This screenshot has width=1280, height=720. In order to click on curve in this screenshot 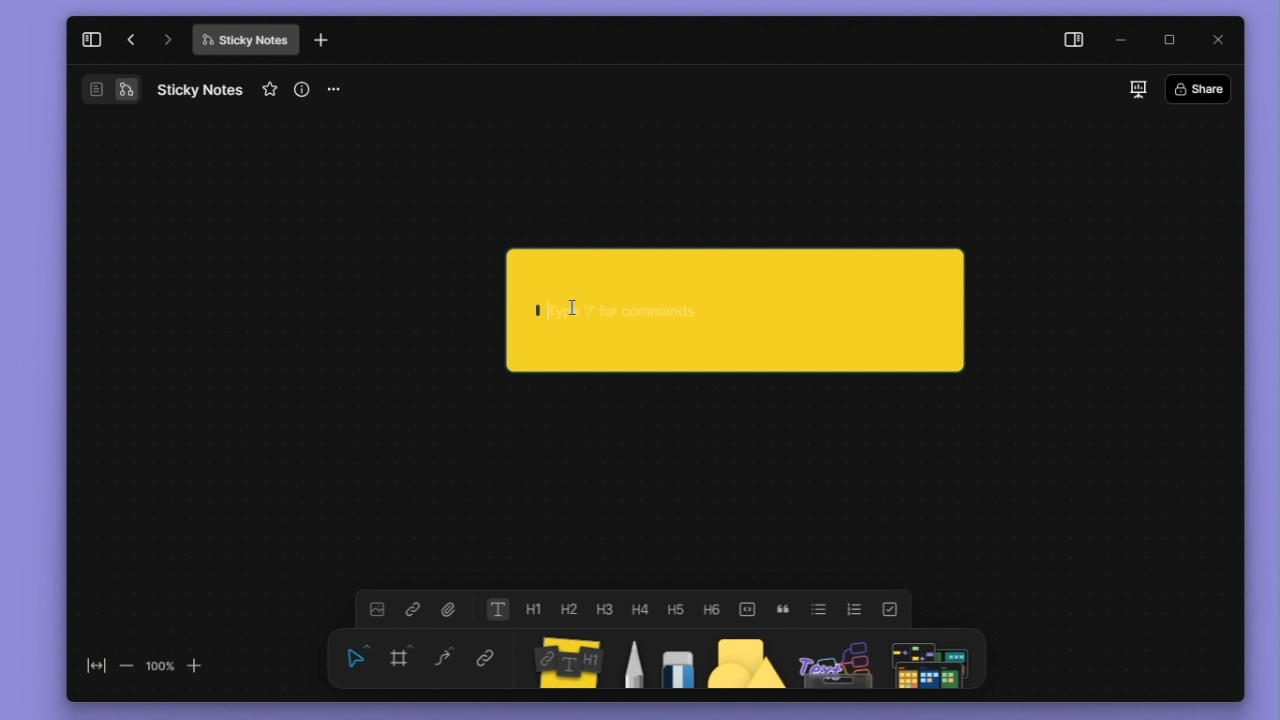, I will do `click(446, 660)`.